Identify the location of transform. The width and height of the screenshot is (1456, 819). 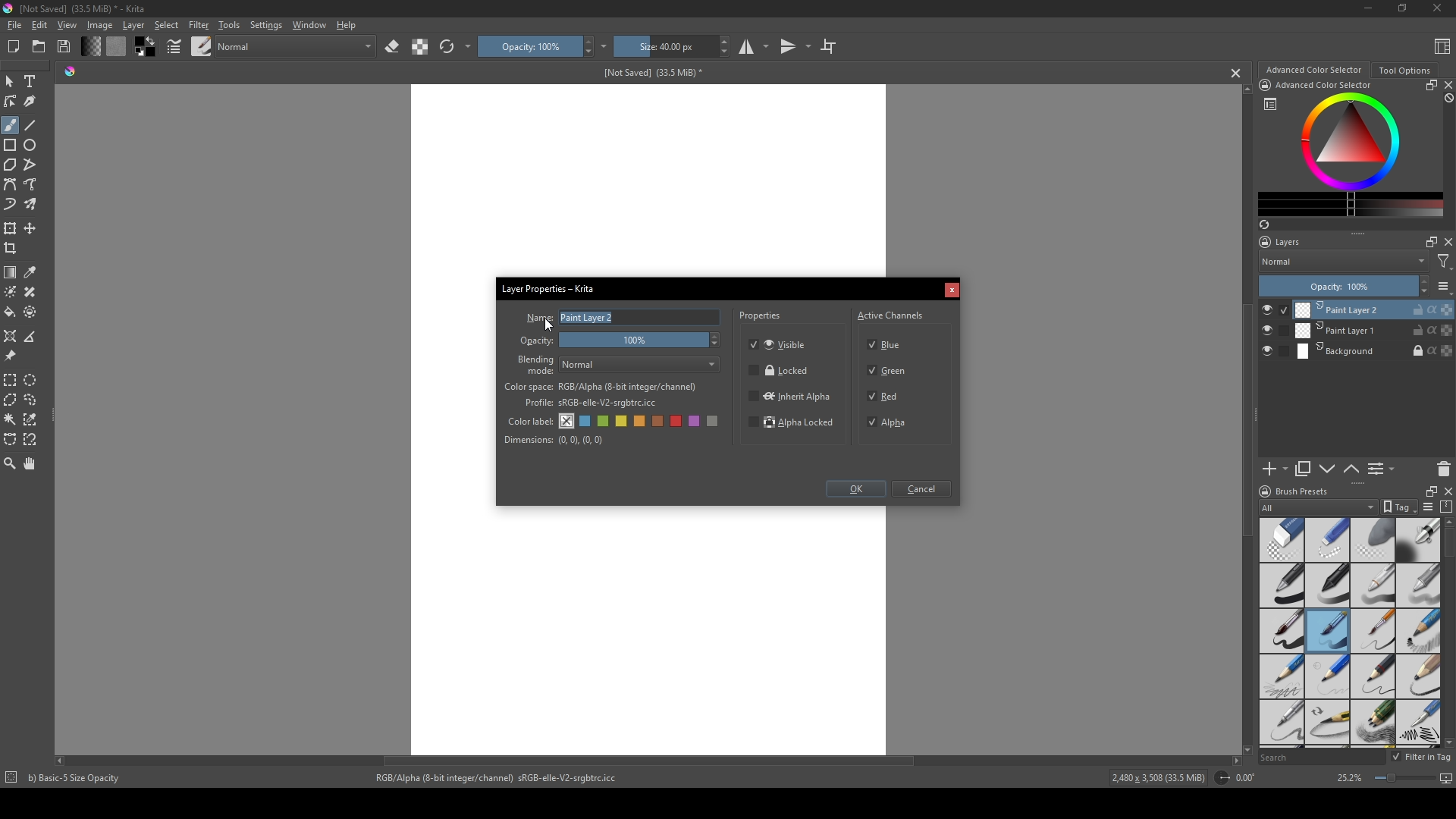
(11, 227).